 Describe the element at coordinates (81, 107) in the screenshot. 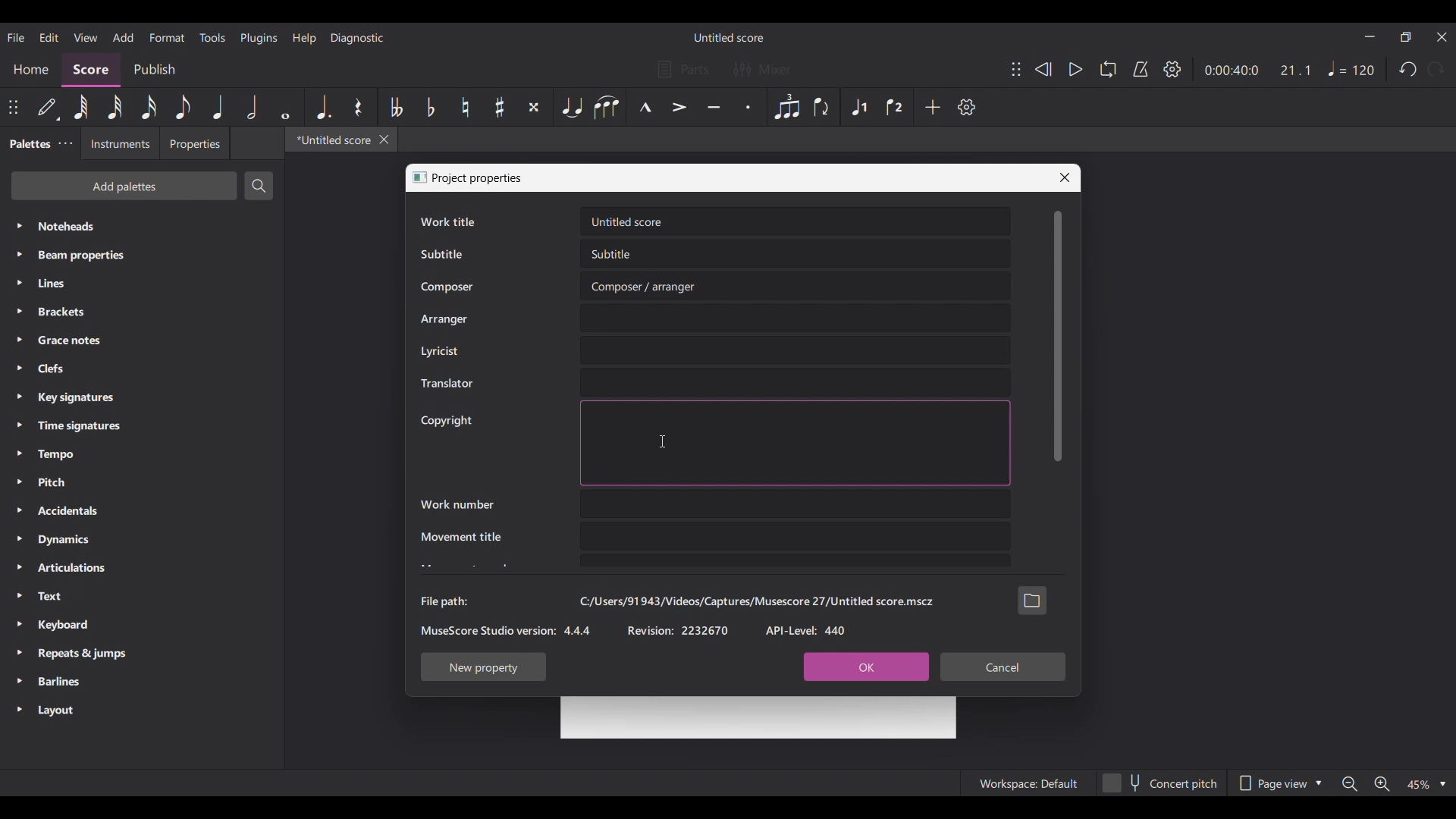

I see `63th menu` at that location.